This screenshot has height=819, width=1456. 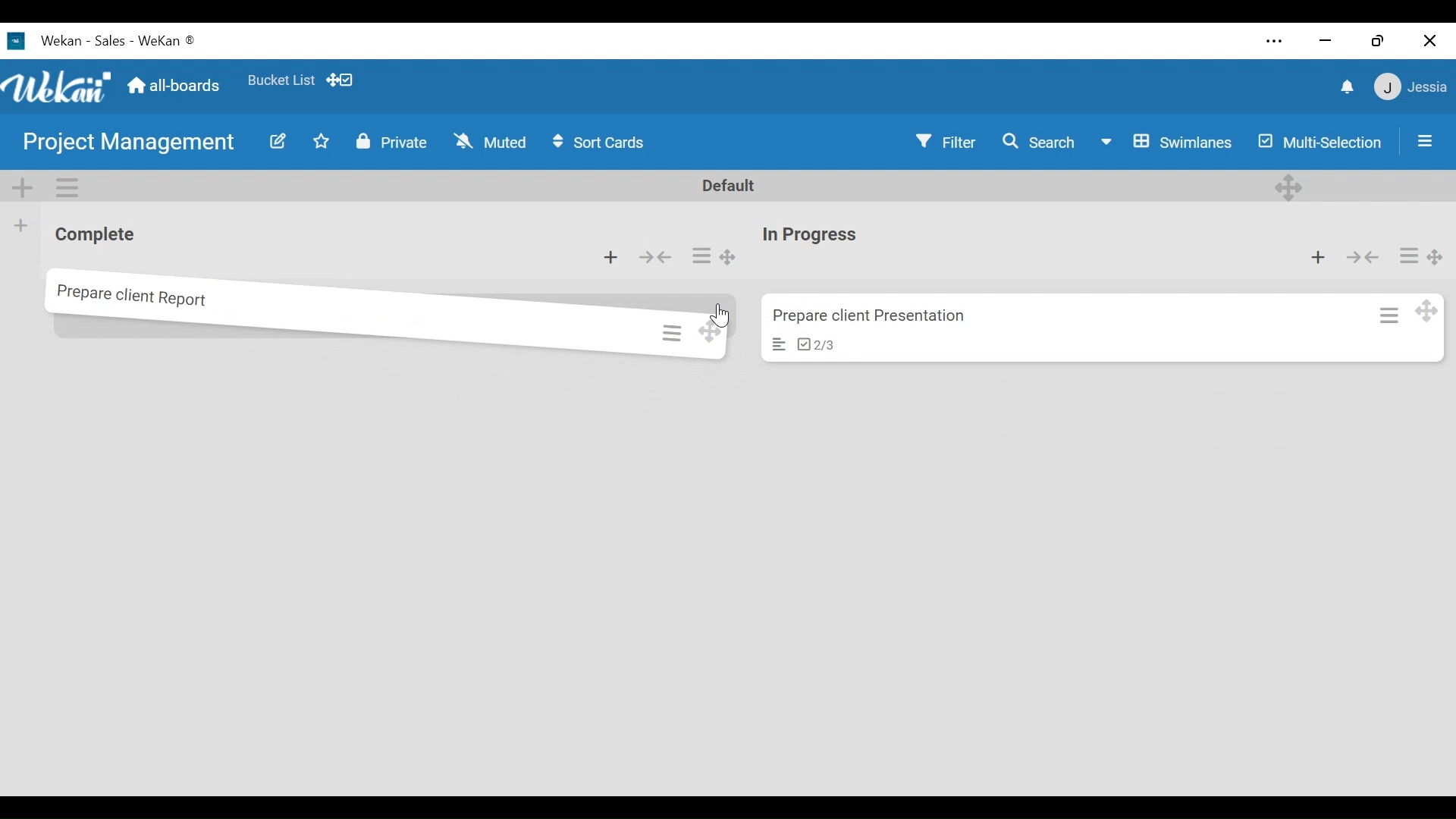 What do you see at coordinates (612, 257) in the screenshot?
I see `Add card to the top of the list` at bounding box center [612, 257].